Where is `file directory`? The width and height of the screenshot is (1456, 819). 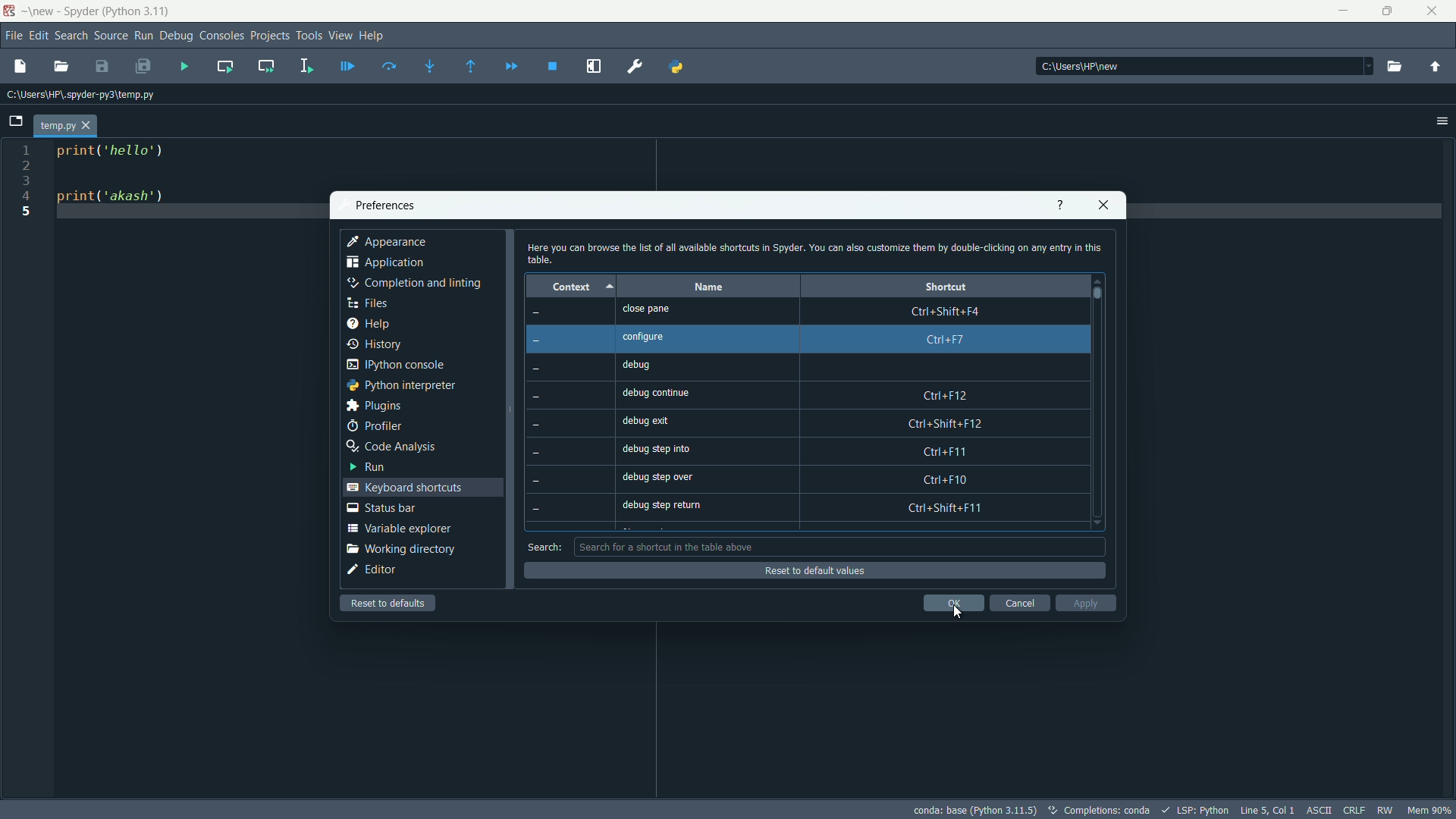
file directory is located at coordinates (79, 94).